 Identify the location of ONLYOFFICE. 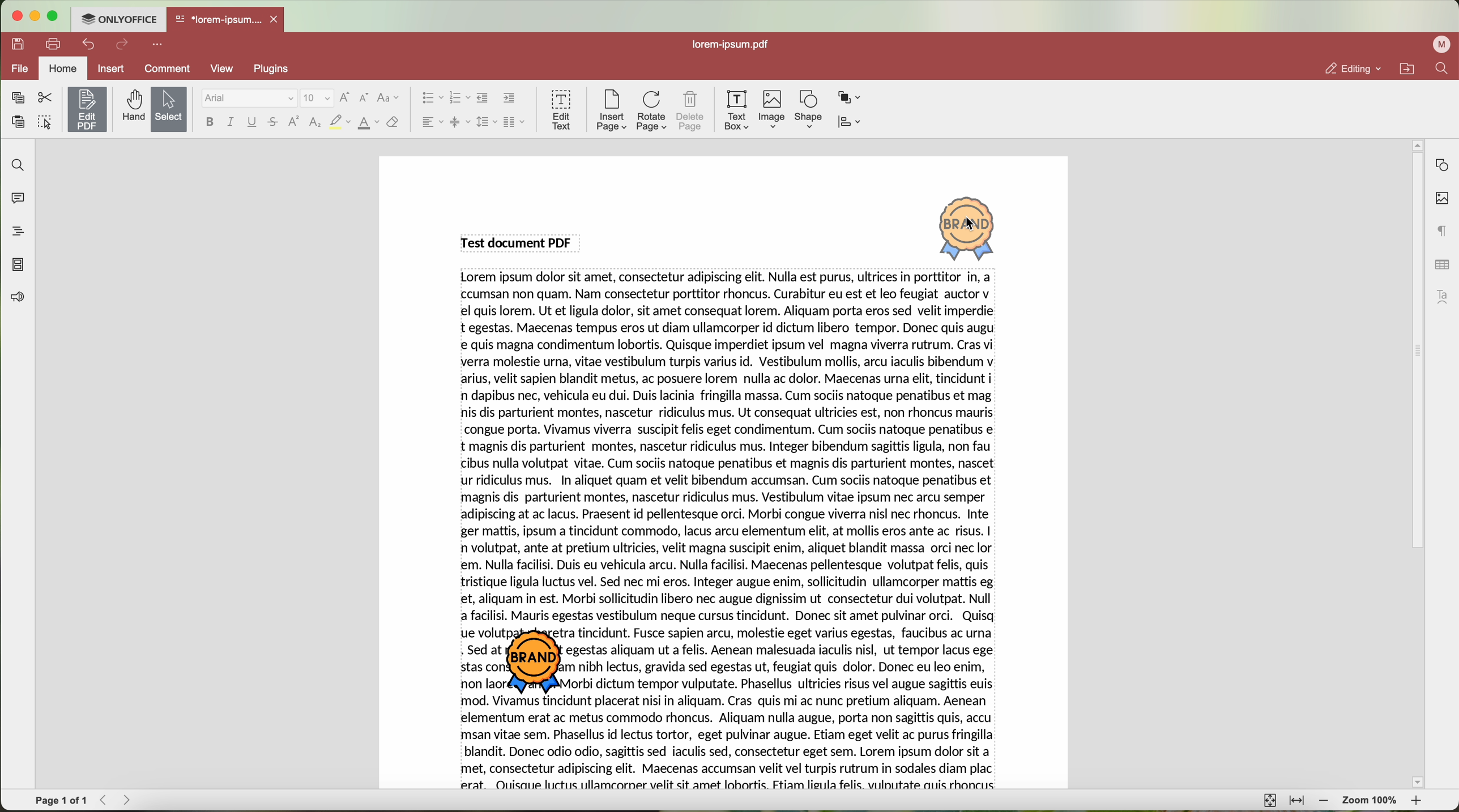
(118, 18).